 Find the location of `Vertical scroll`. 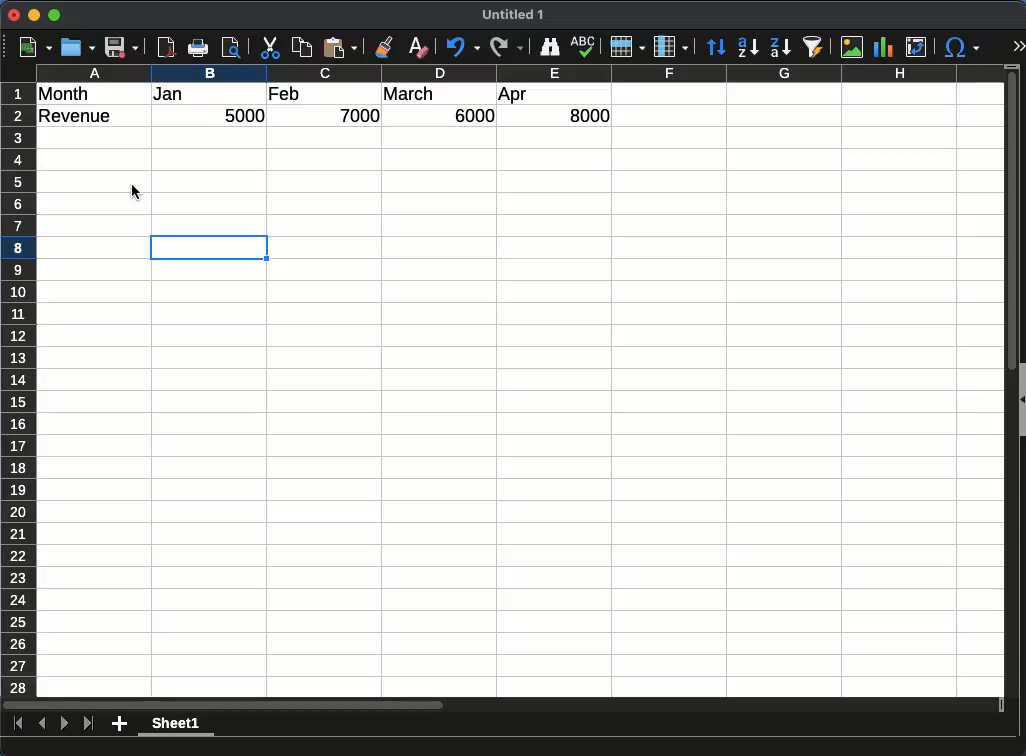

Vertical scroll is located at coordinates (1012, 381).